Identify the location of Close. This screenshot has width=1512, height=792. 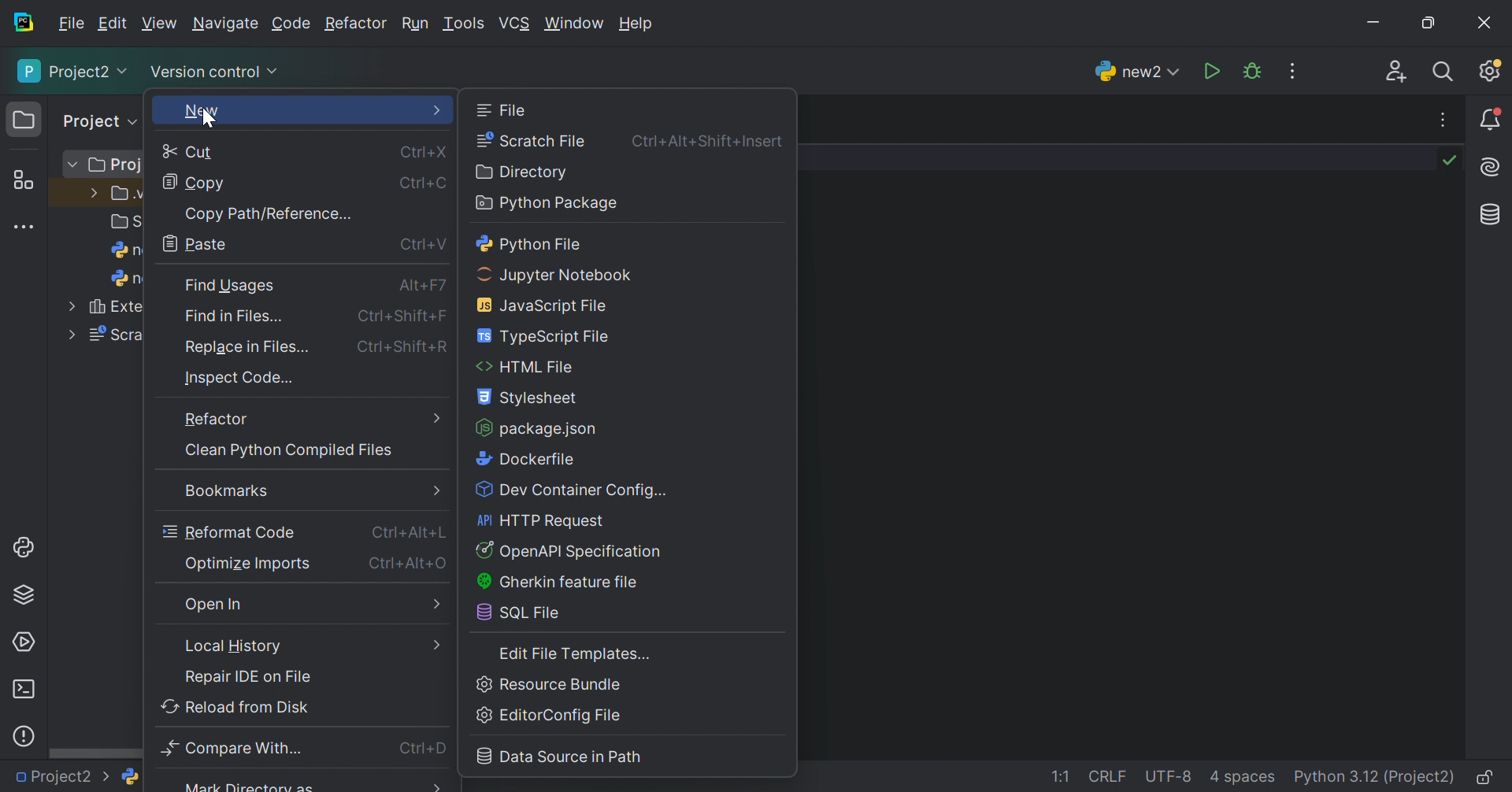
(1488, 19).